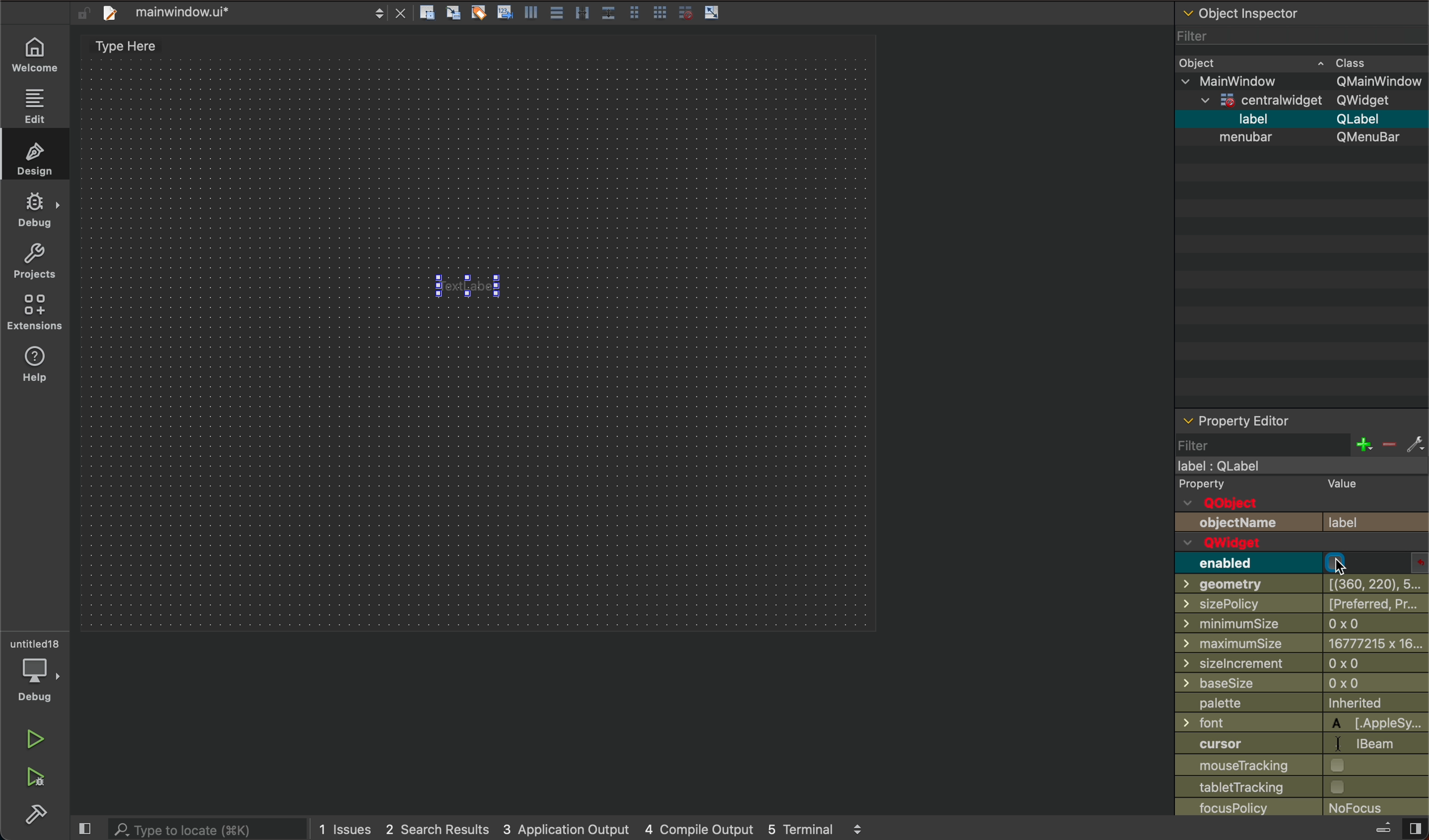 This screenshot has height=840, width=1429. Describe the element at coordinates (1197, 35) in the screenshot. I see `Filter` at that location.